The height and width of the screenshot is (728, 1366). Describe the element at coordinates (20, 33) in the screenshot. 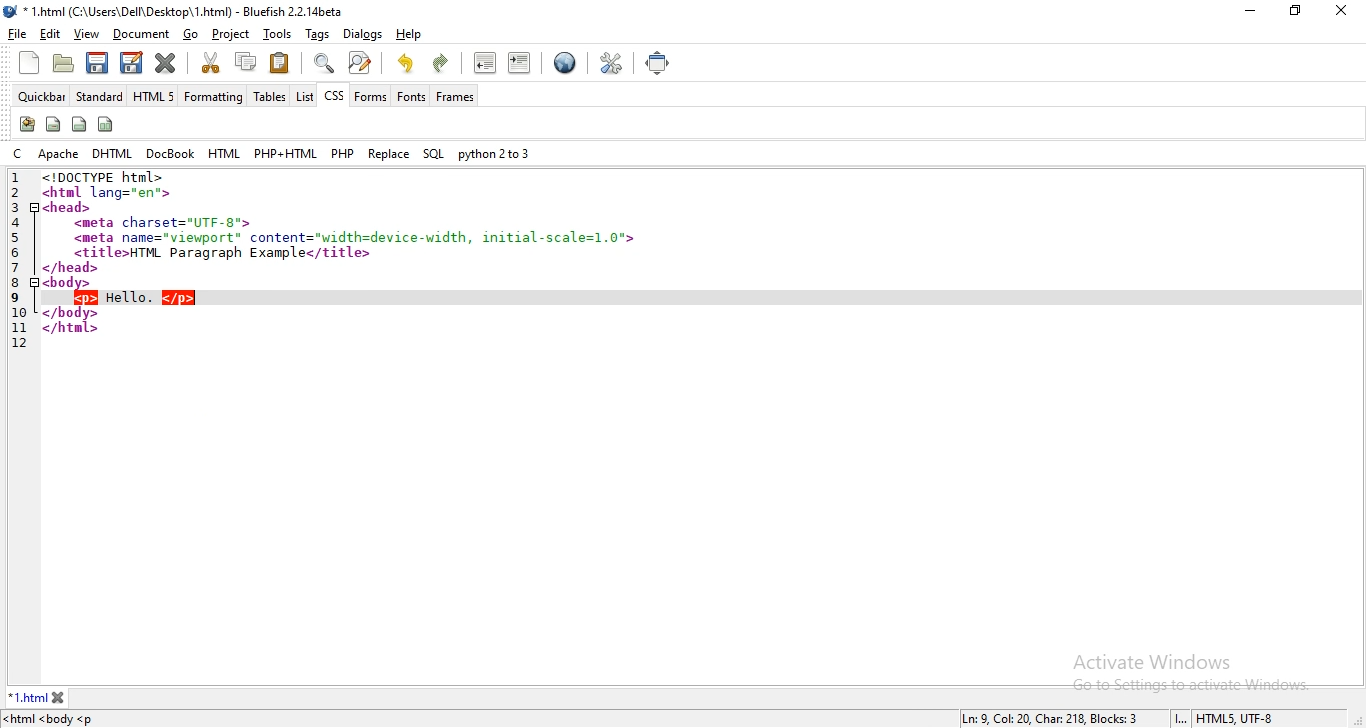

I see `file` at that location.